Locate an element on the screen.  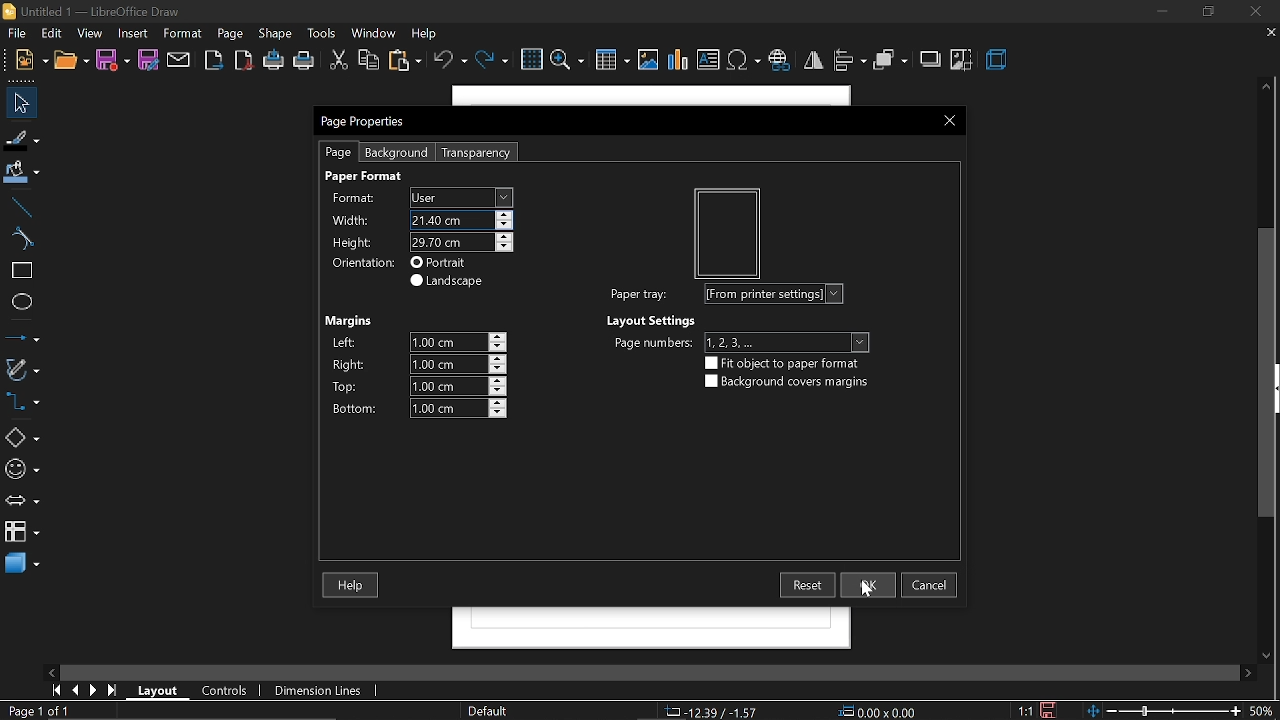
User is located at coordinates (462, 195).